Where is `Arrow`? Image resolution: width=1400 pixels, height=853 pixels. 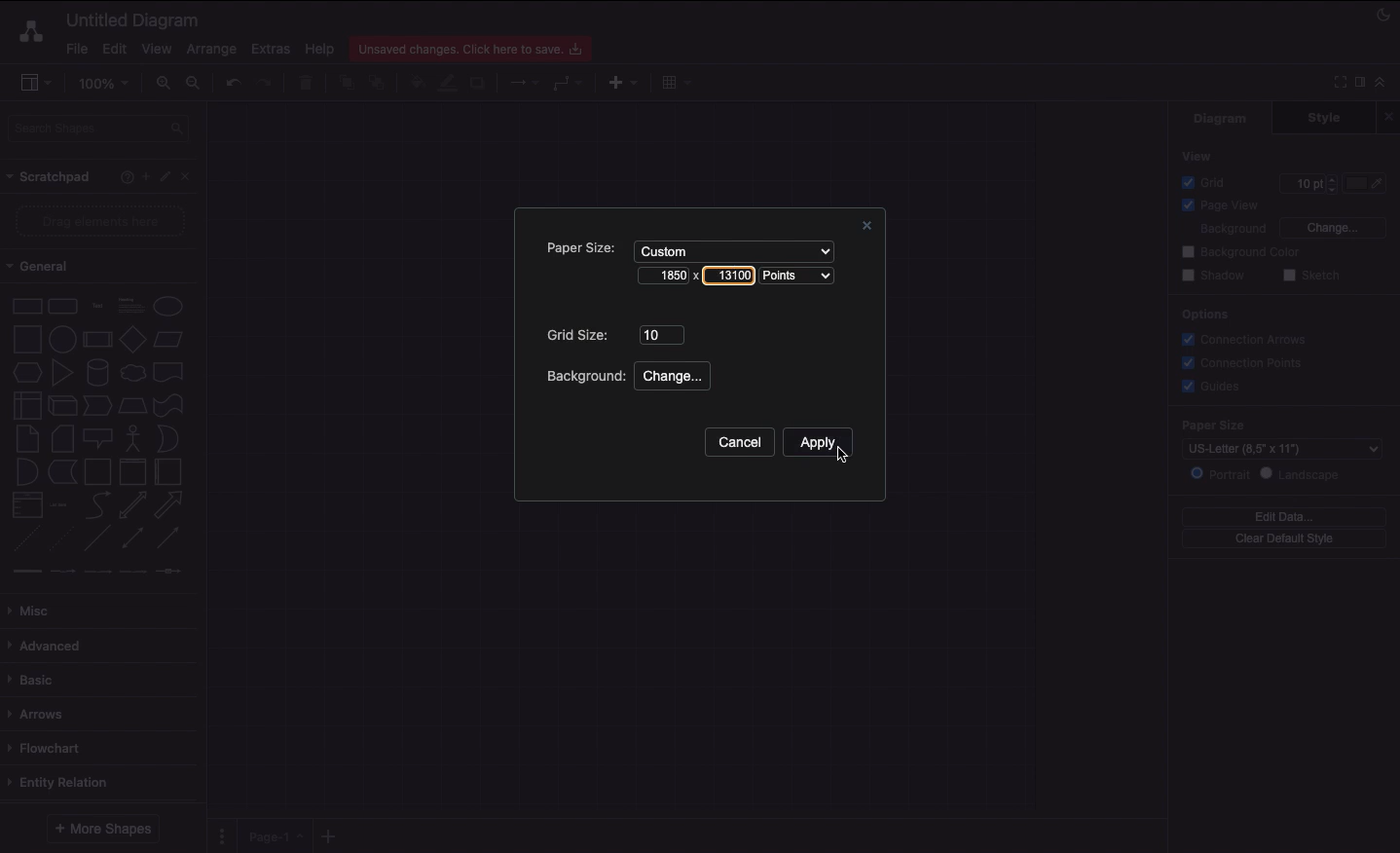 Arrow is located at coordinates (169, 505).